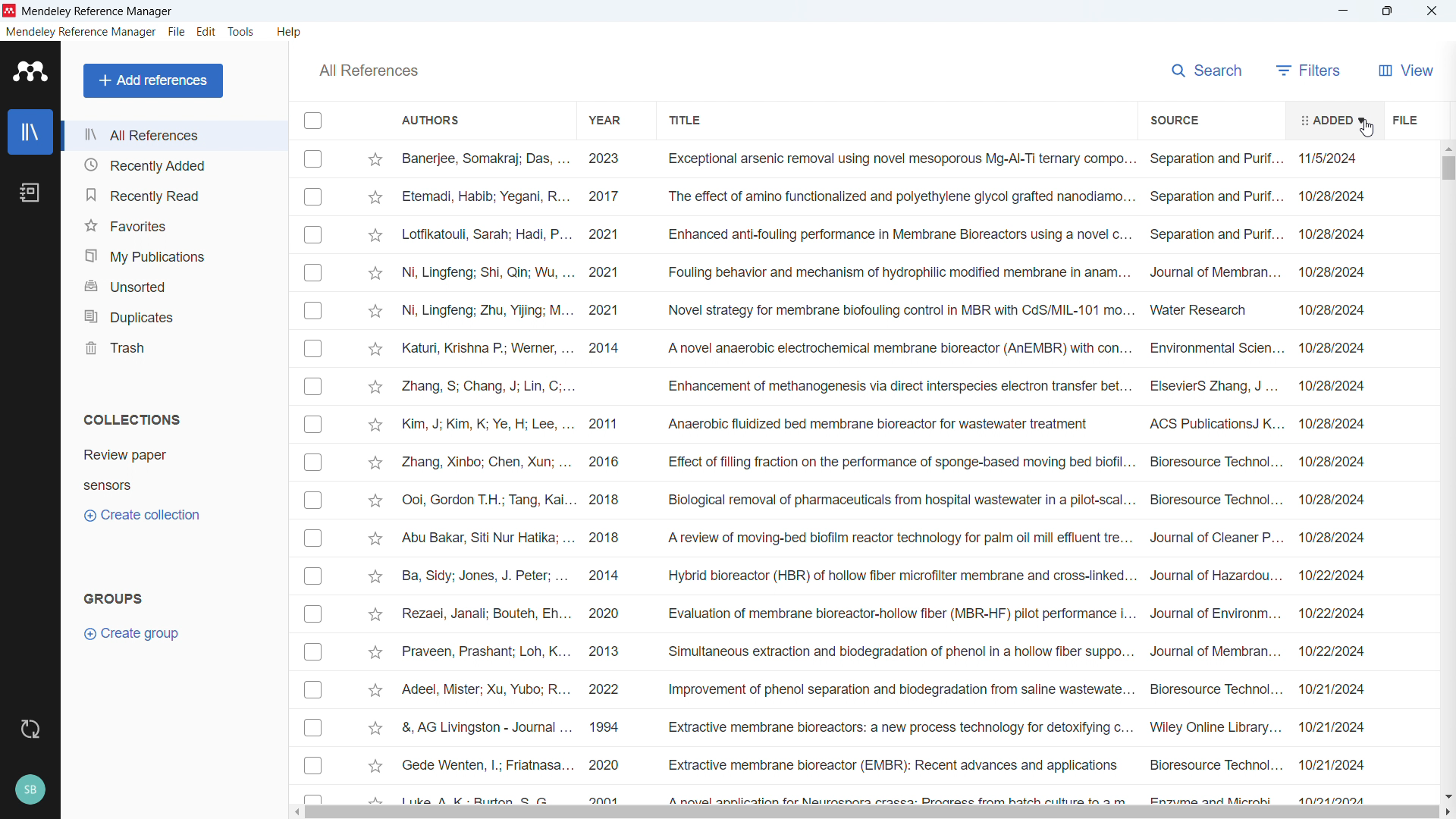 The width and height of the screenshot is (1456, 819). Describe the element at coordinates (375, 474) in the screenshot. I see `Starmark individual entries ` at that location.